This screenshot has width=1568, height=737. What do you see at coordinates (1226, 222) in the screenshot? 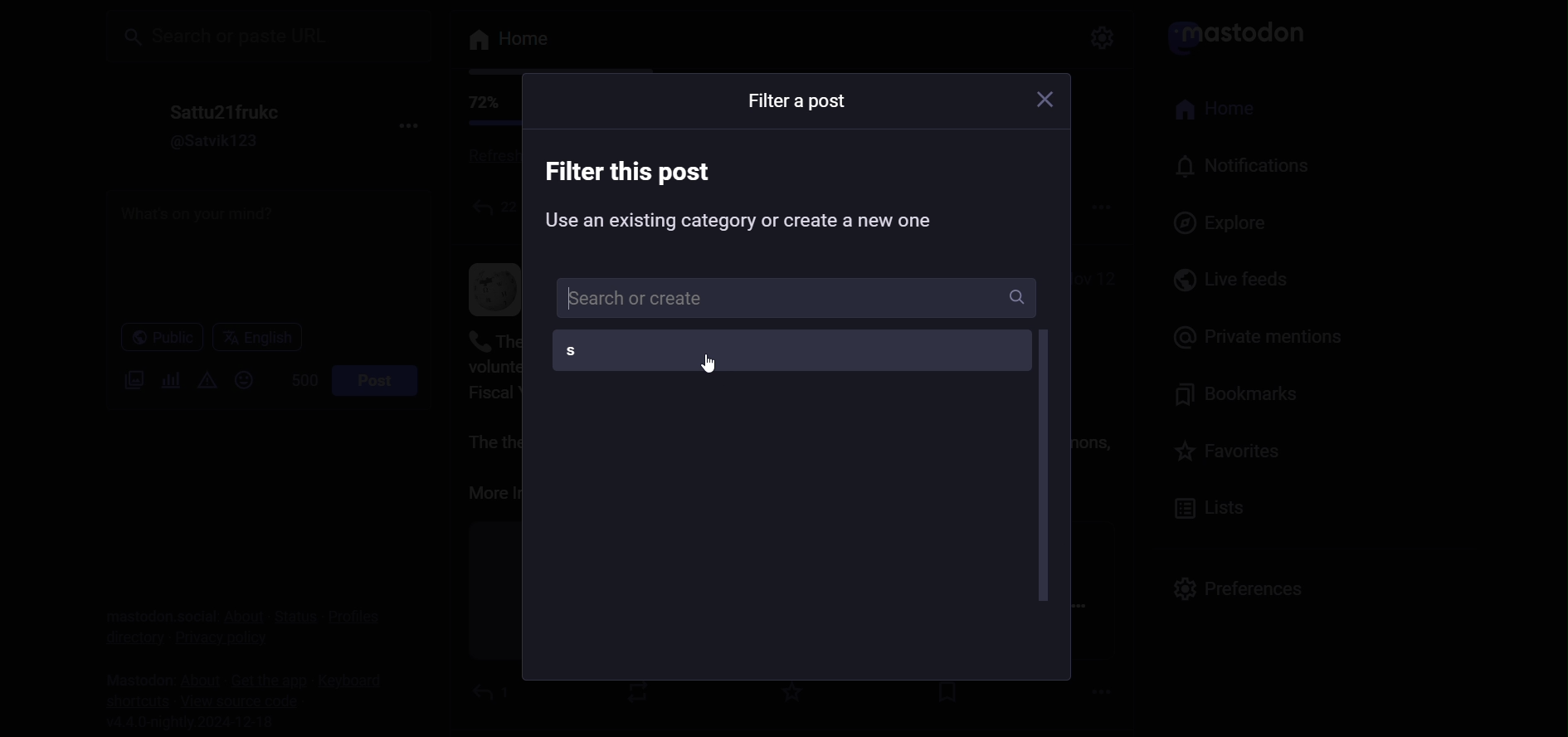
I see `explore` at bounding box center [1226, 222].